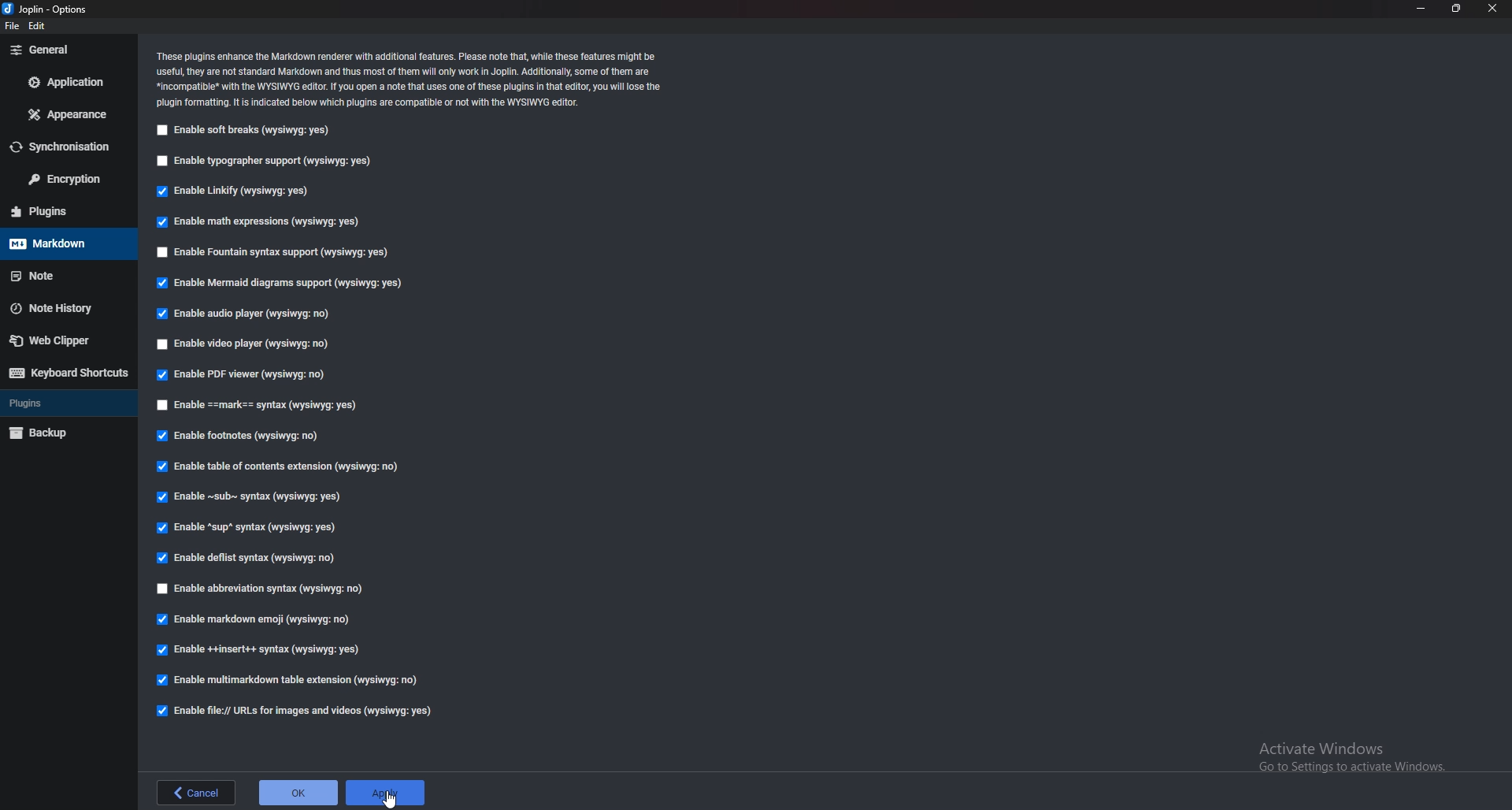  What do you see at coordinates (264, 648) in the screenshot?
I see `Enable insert syntax` at bounding box center [264, 648].